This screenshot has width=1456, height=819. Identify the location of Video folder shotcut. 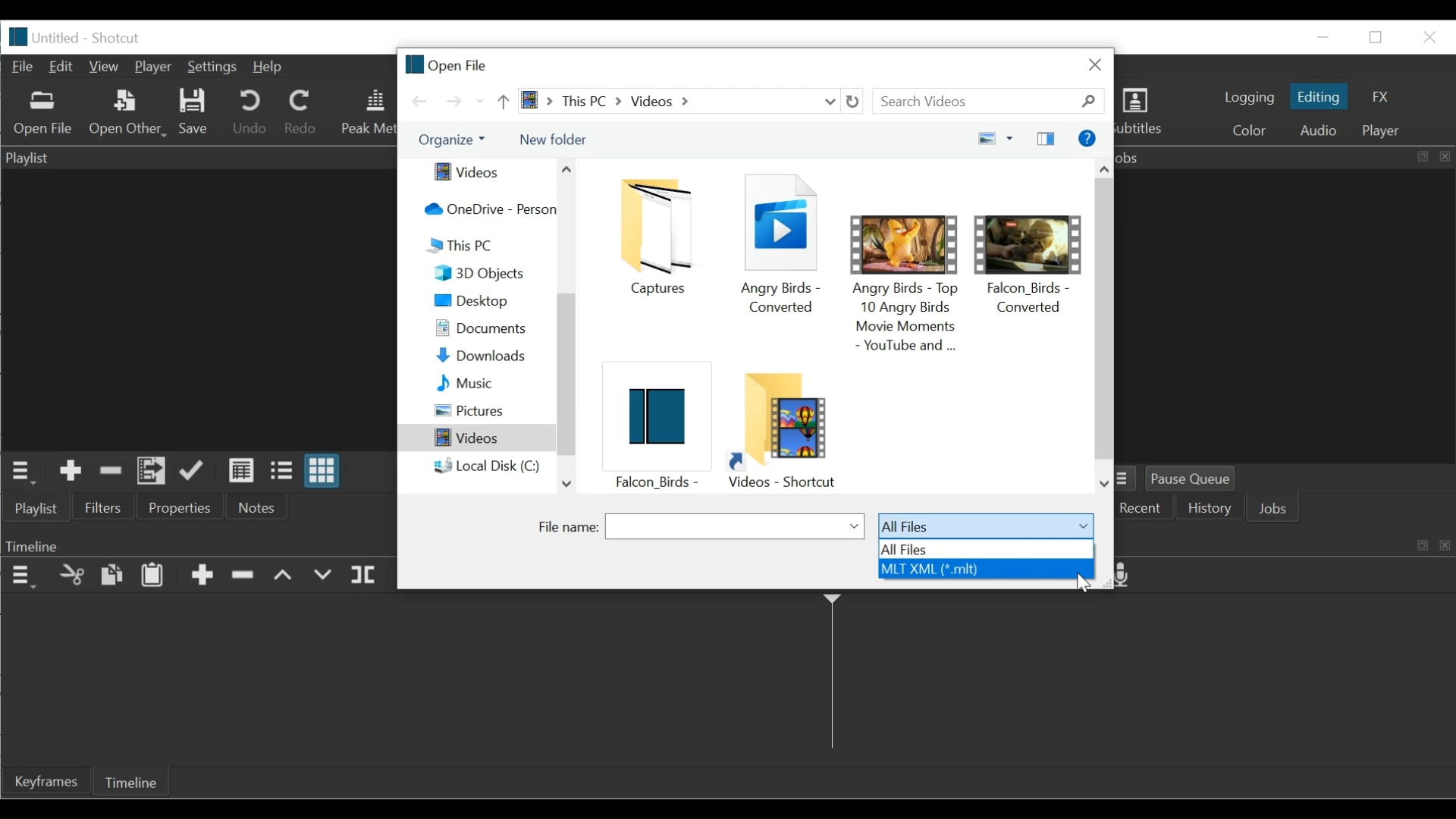
(782, 429).